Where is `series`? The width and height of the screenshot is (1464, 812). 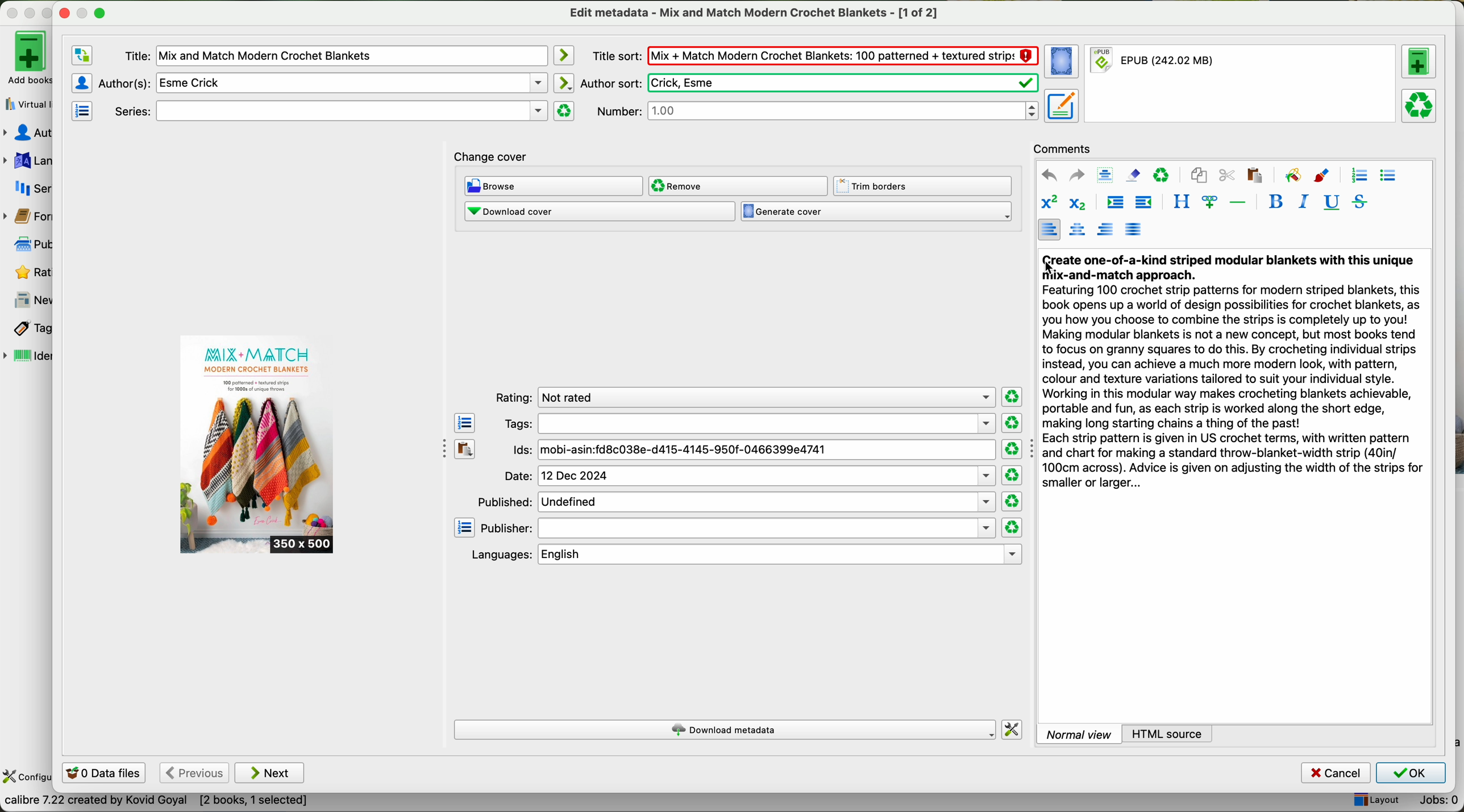
series is located at coordinates (27, 188).